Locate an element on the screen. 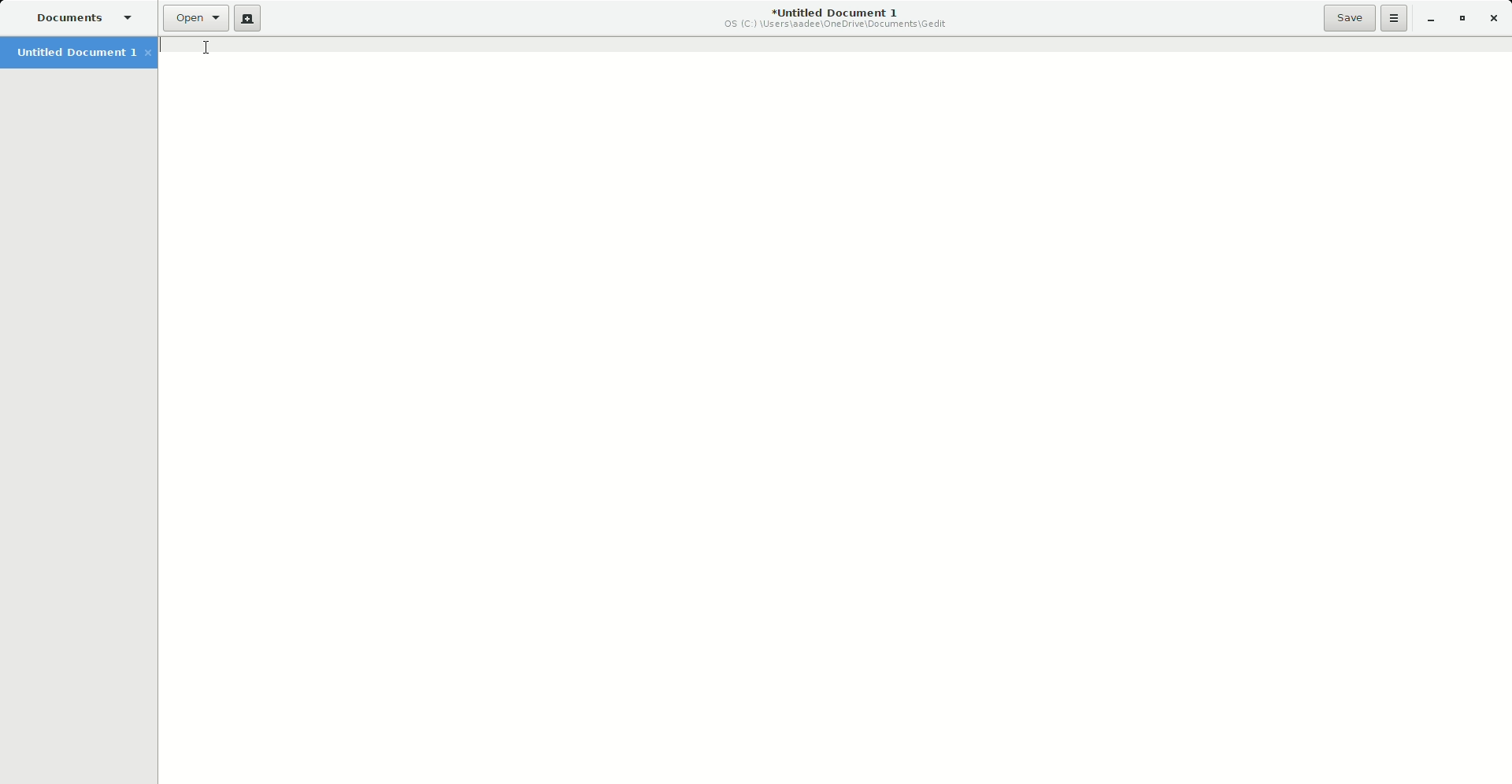  Close is located at coordinates (1496, 19).